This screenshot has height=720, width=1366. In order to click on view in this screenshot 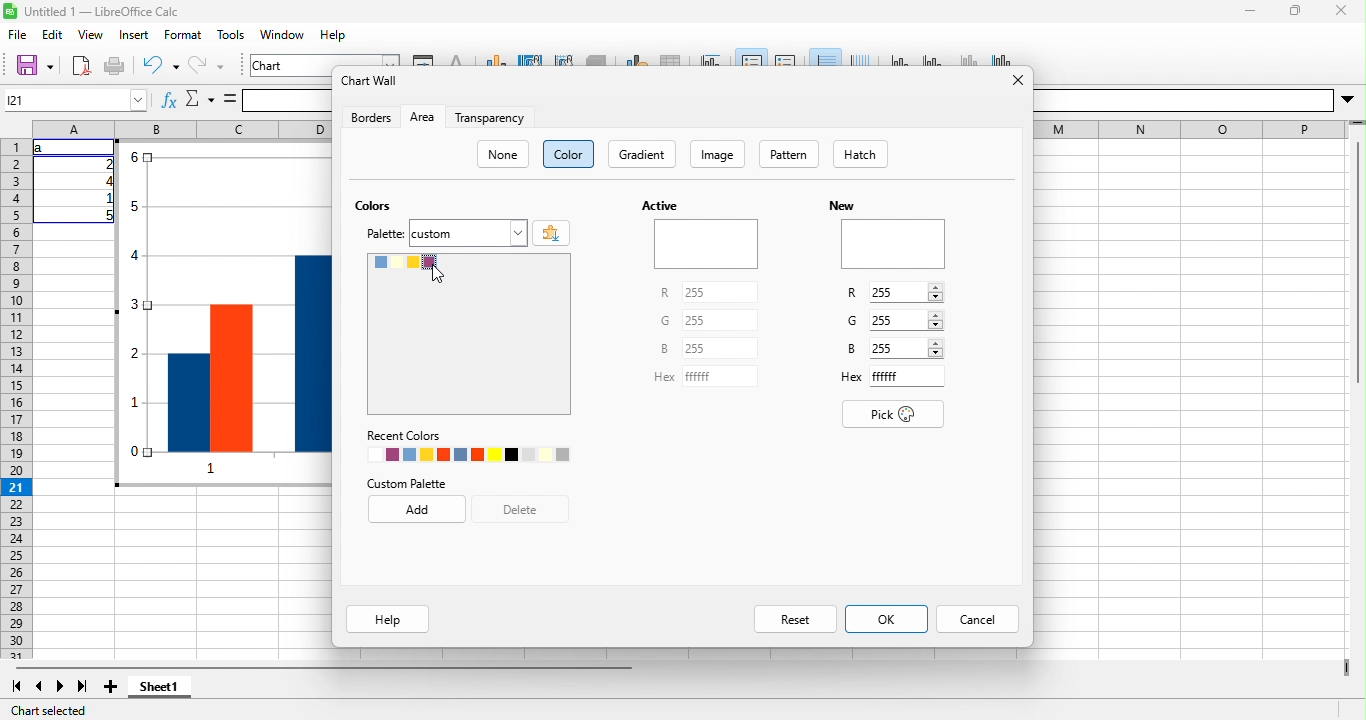, I will do `click(91, 34)`.